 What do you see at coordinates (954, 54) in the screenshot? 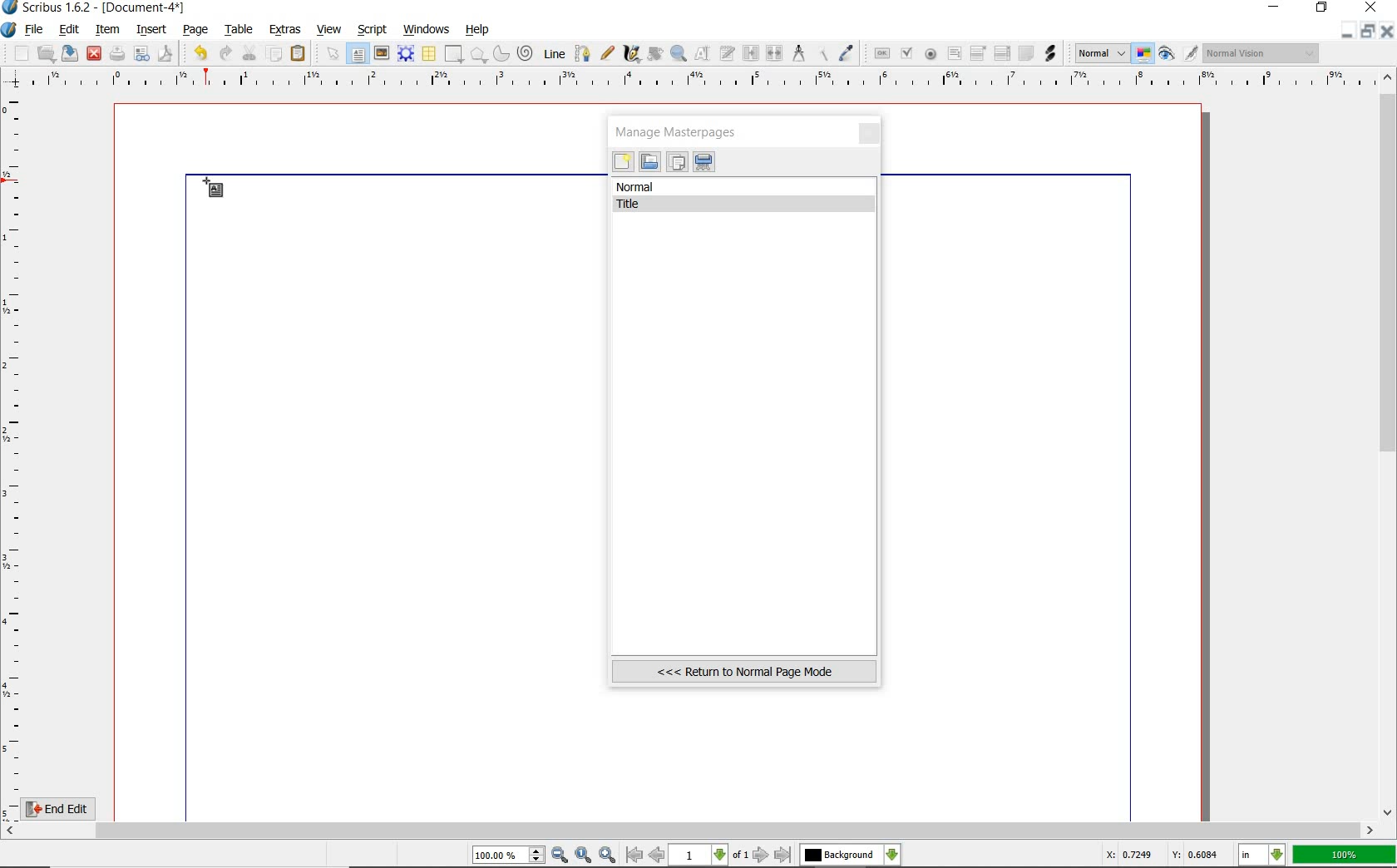
I see `pdf text field` at bounding box center [954, 54].